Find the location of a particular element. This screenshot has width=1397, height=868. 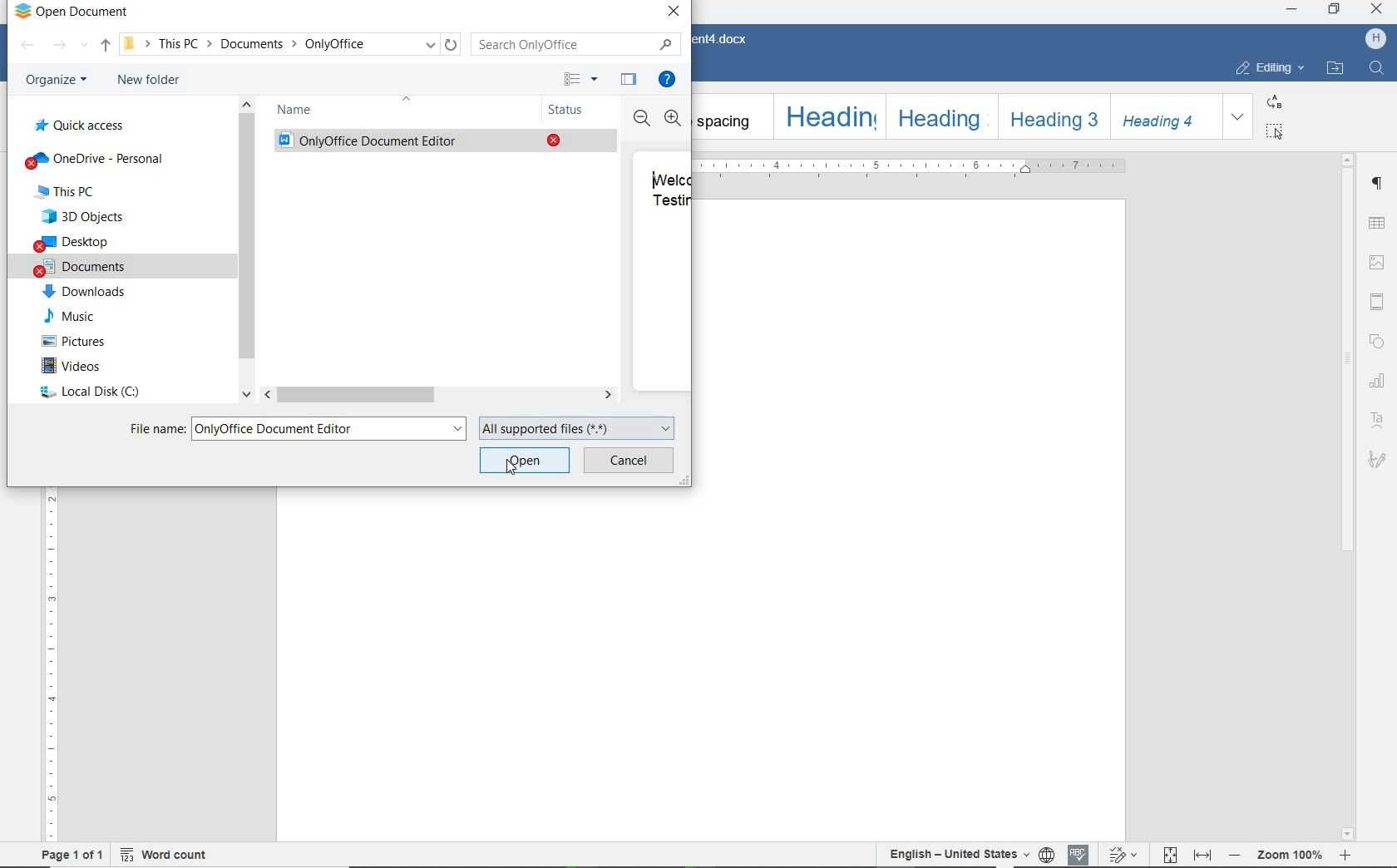

Find is located at coordinates (1380, 76).